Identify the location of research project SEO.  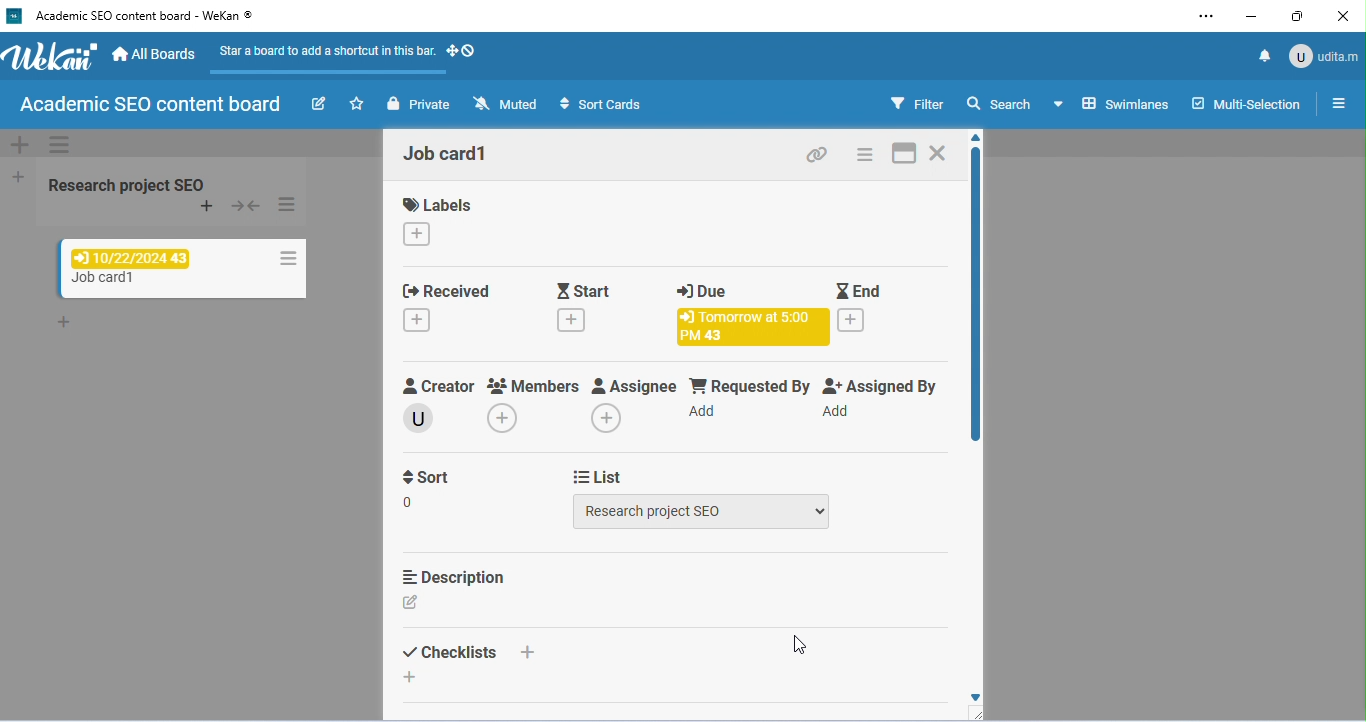
(126, 184).